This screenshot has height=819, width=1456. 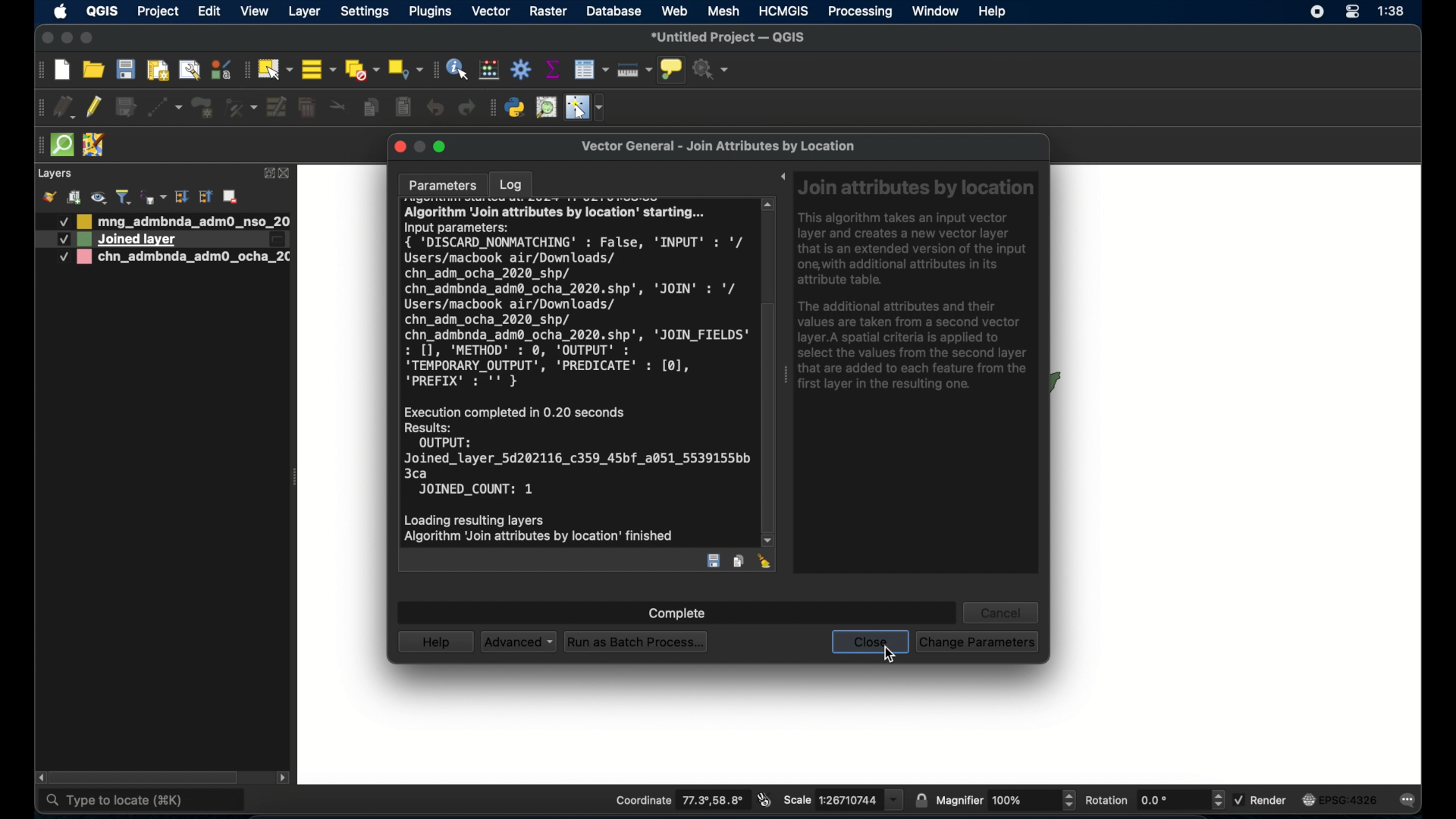 I want to click on copy features, so click(x=372, y=110).